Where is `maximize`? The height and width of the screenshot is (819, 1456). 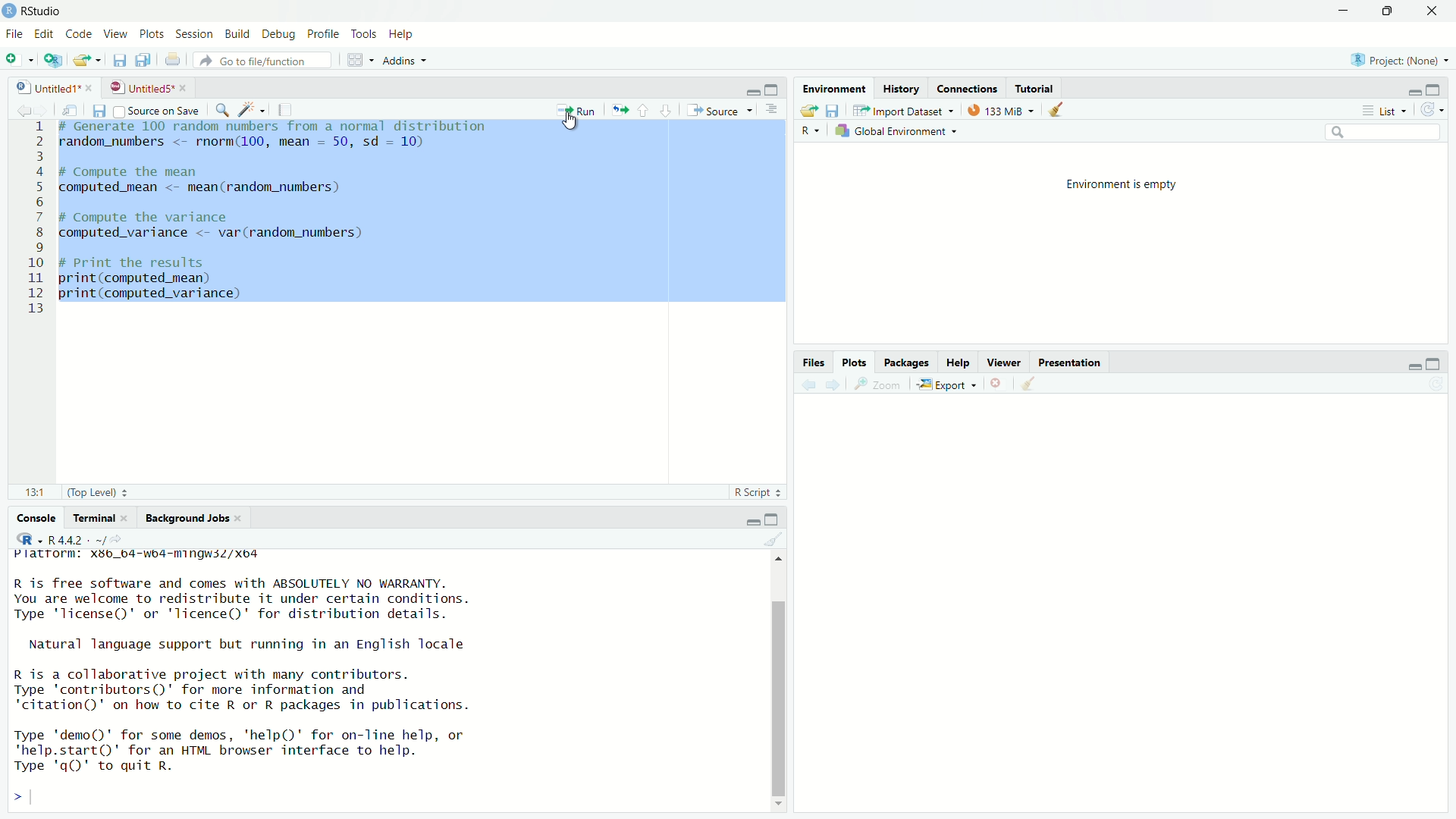 maximize is located at coordinates (775, 516).